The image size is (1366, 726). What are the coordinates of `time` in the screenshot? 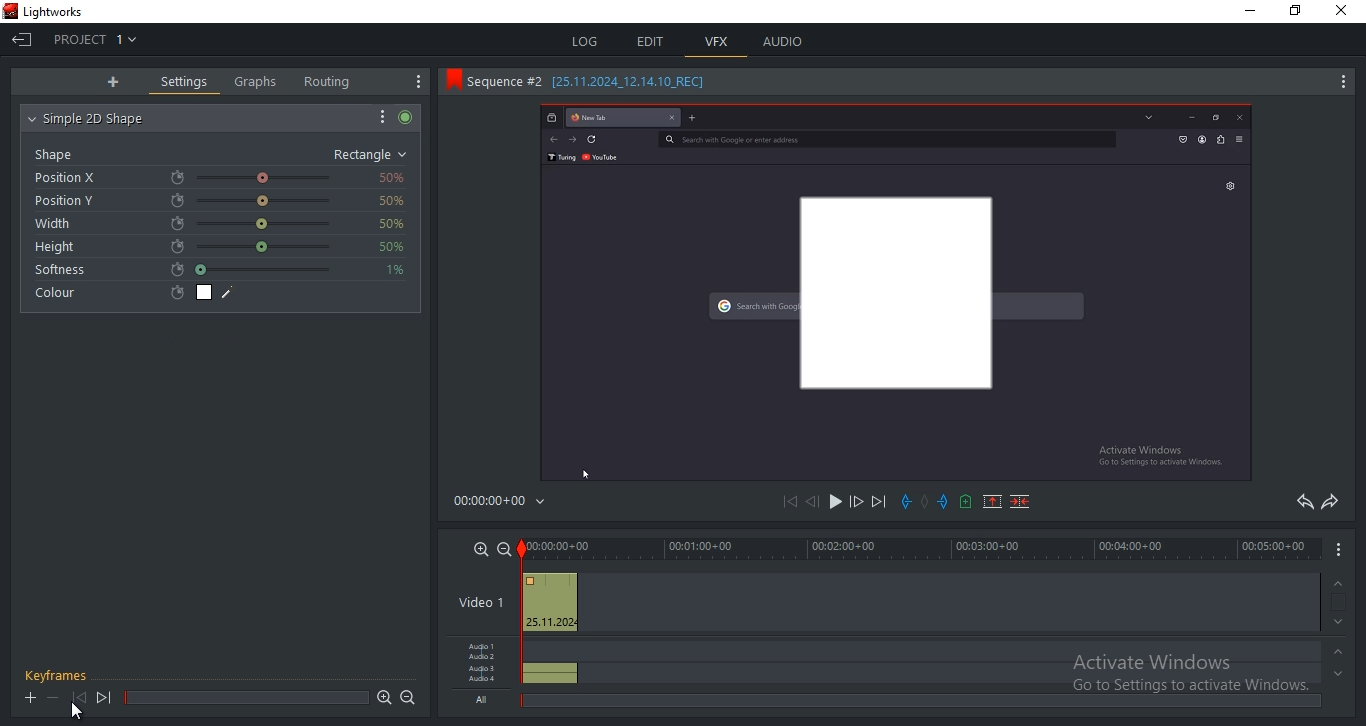 It's located at (504, 505).